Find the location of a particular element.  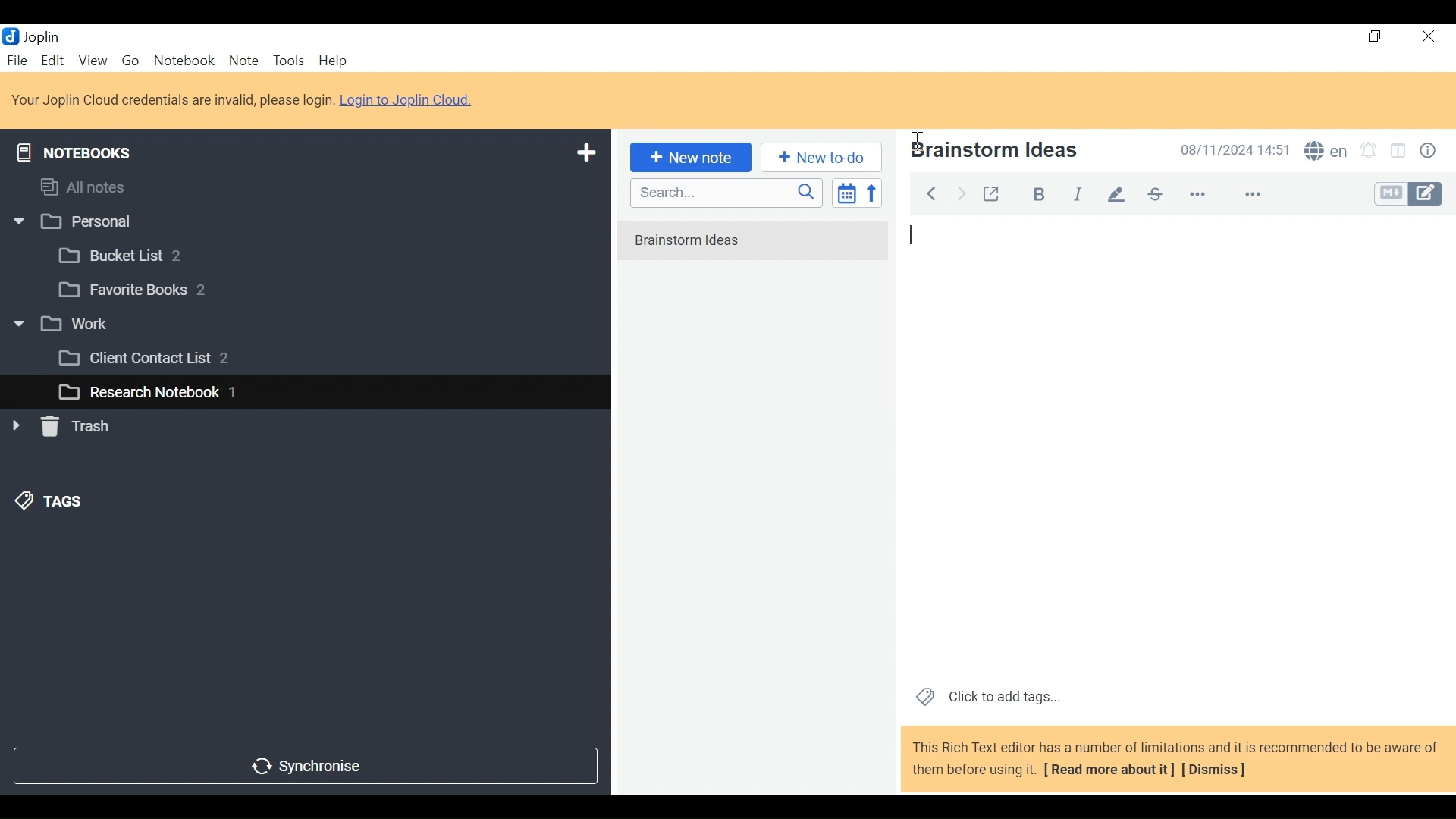

Date and Time is located at coordinates (1231, 149).